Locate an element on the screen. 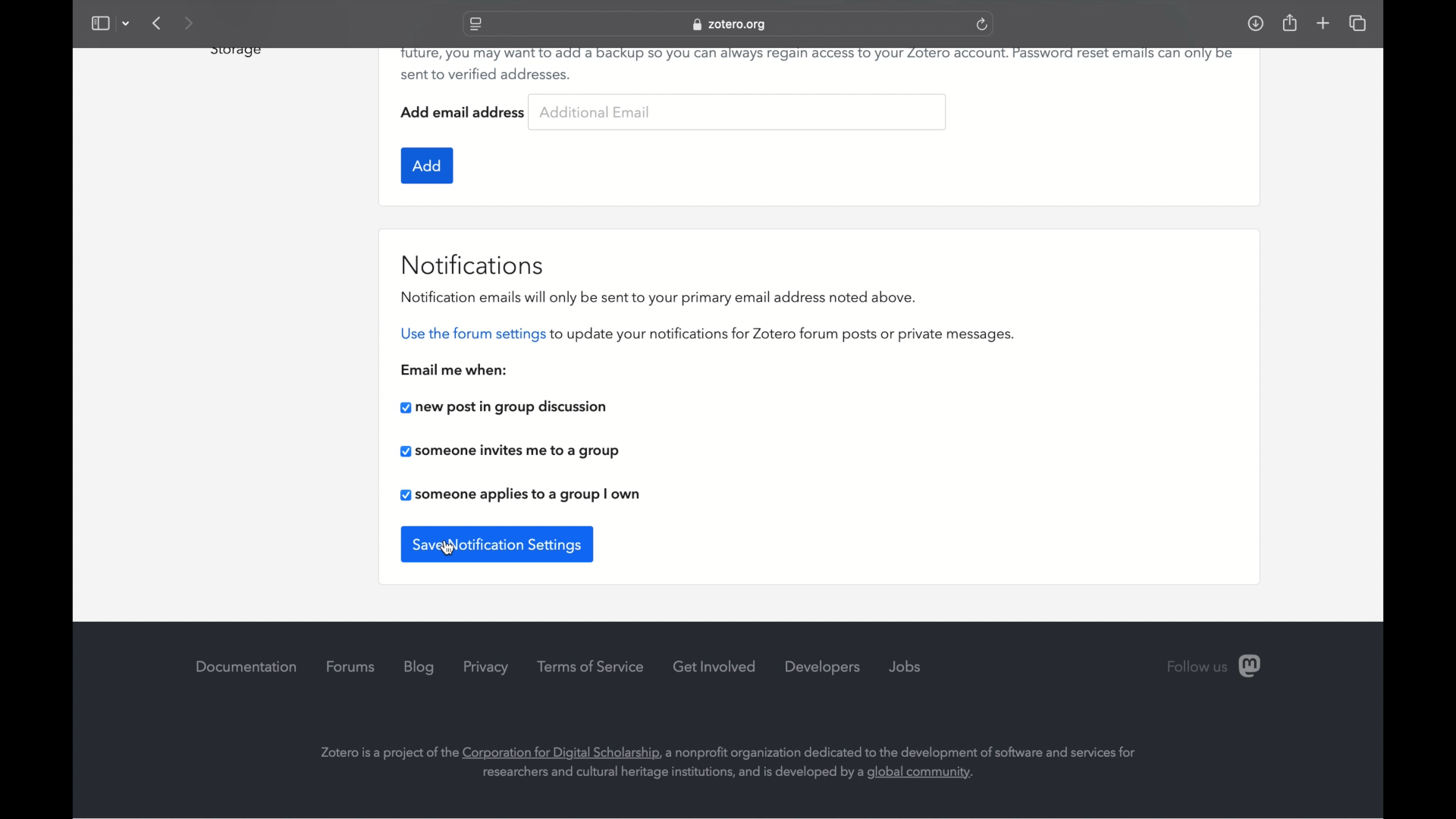 The image size is (1456, 819). blog is located at coordinates (422, 667).